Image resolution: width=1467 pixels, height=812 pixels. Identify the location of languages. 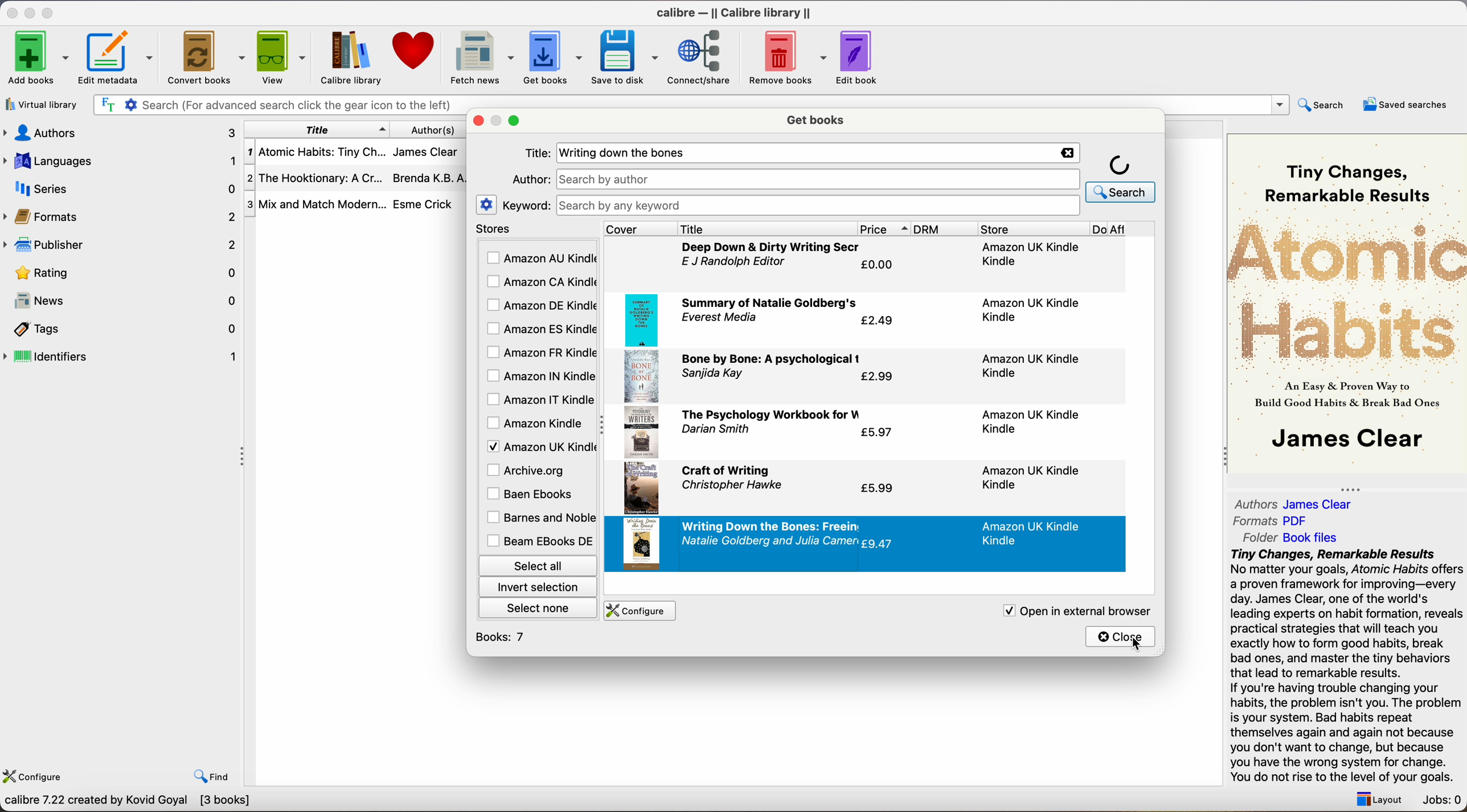
(119, 160).